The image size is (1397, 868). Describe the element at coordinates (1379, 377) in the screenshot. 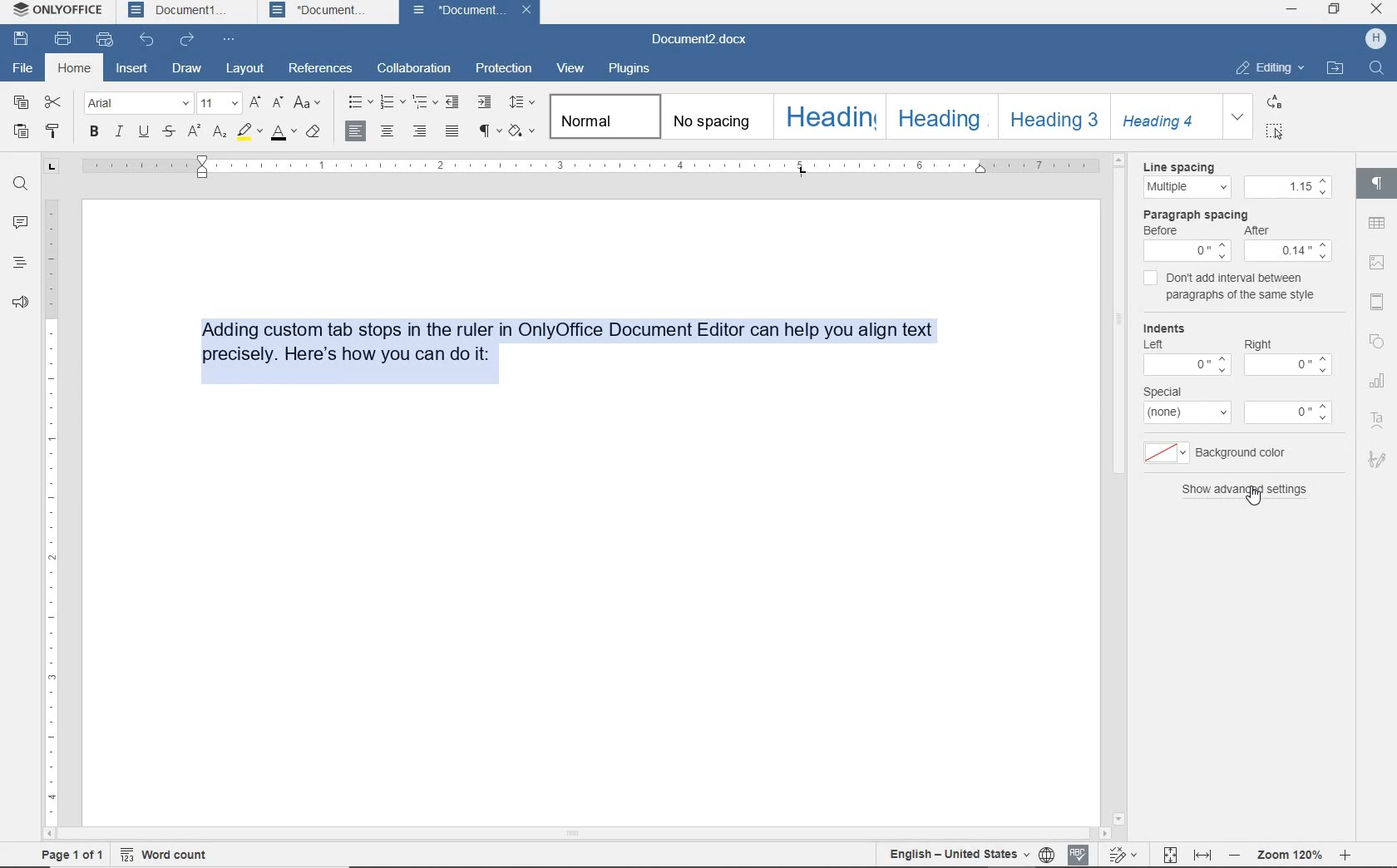

I see `chart` at that location.